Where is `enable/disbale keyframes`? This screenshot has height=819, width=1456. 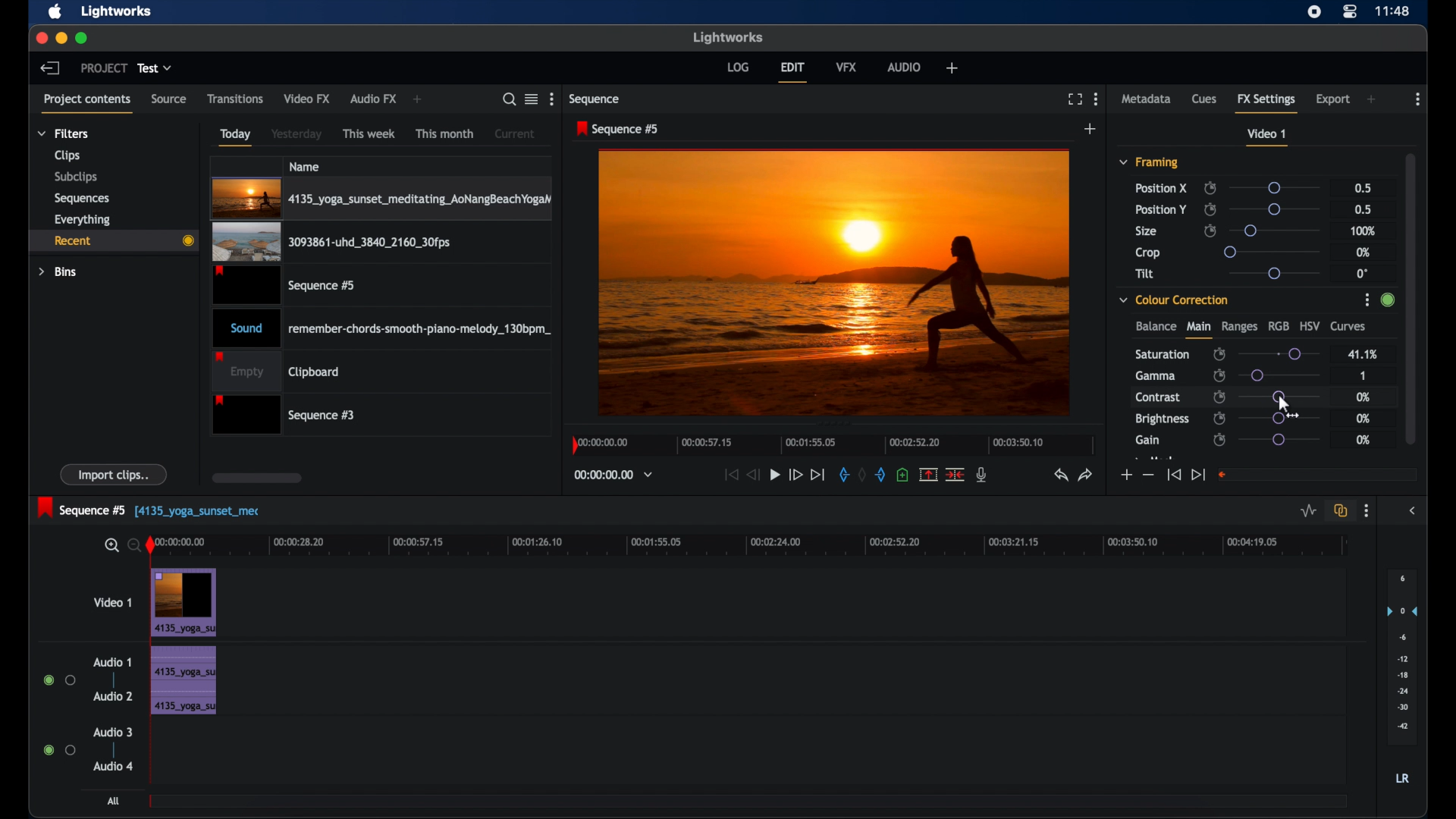
enable/disbale keyframes is located at coordinates (1220, 353).